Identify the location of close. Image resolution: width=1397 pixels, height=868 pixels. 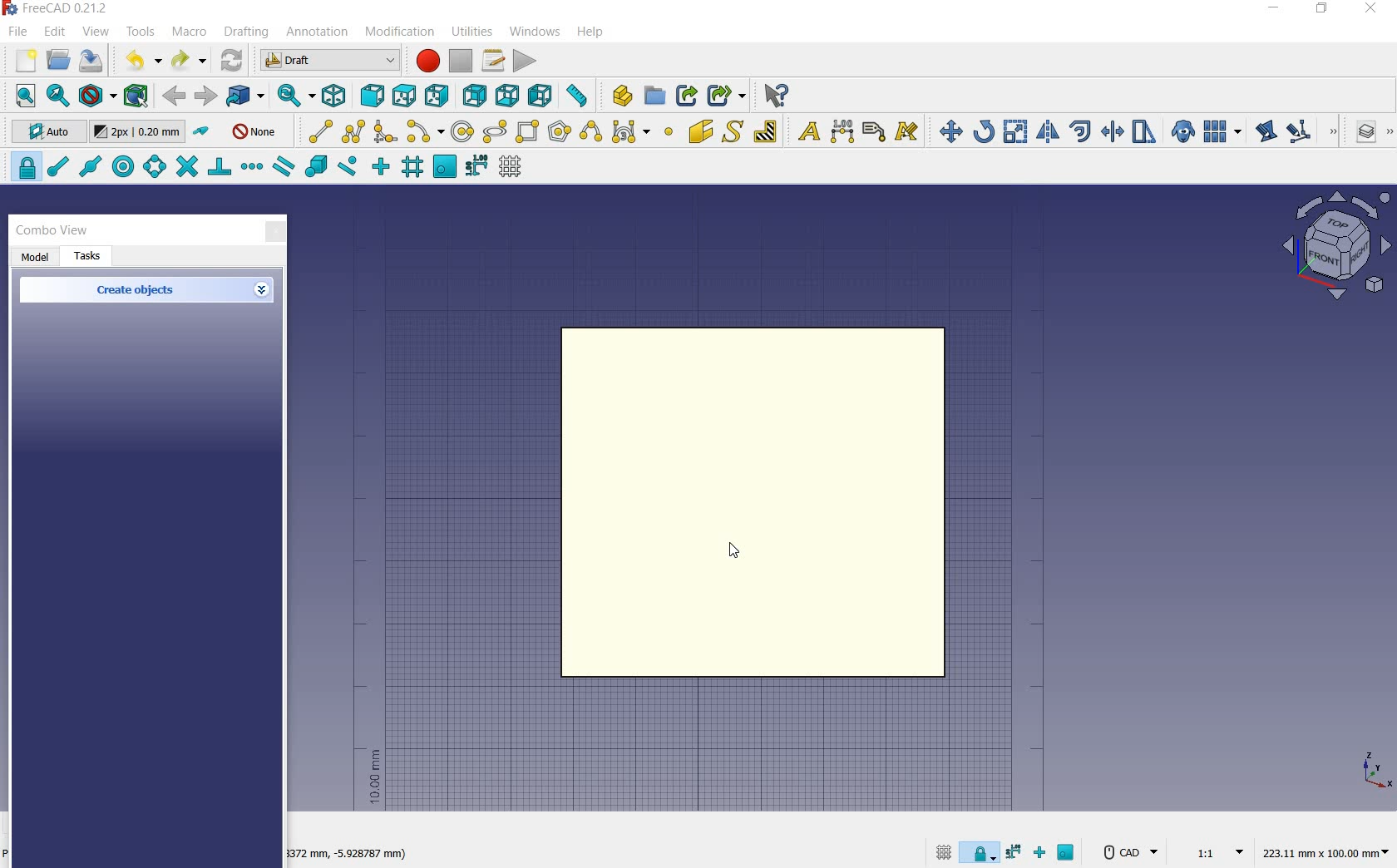
(275, 233).